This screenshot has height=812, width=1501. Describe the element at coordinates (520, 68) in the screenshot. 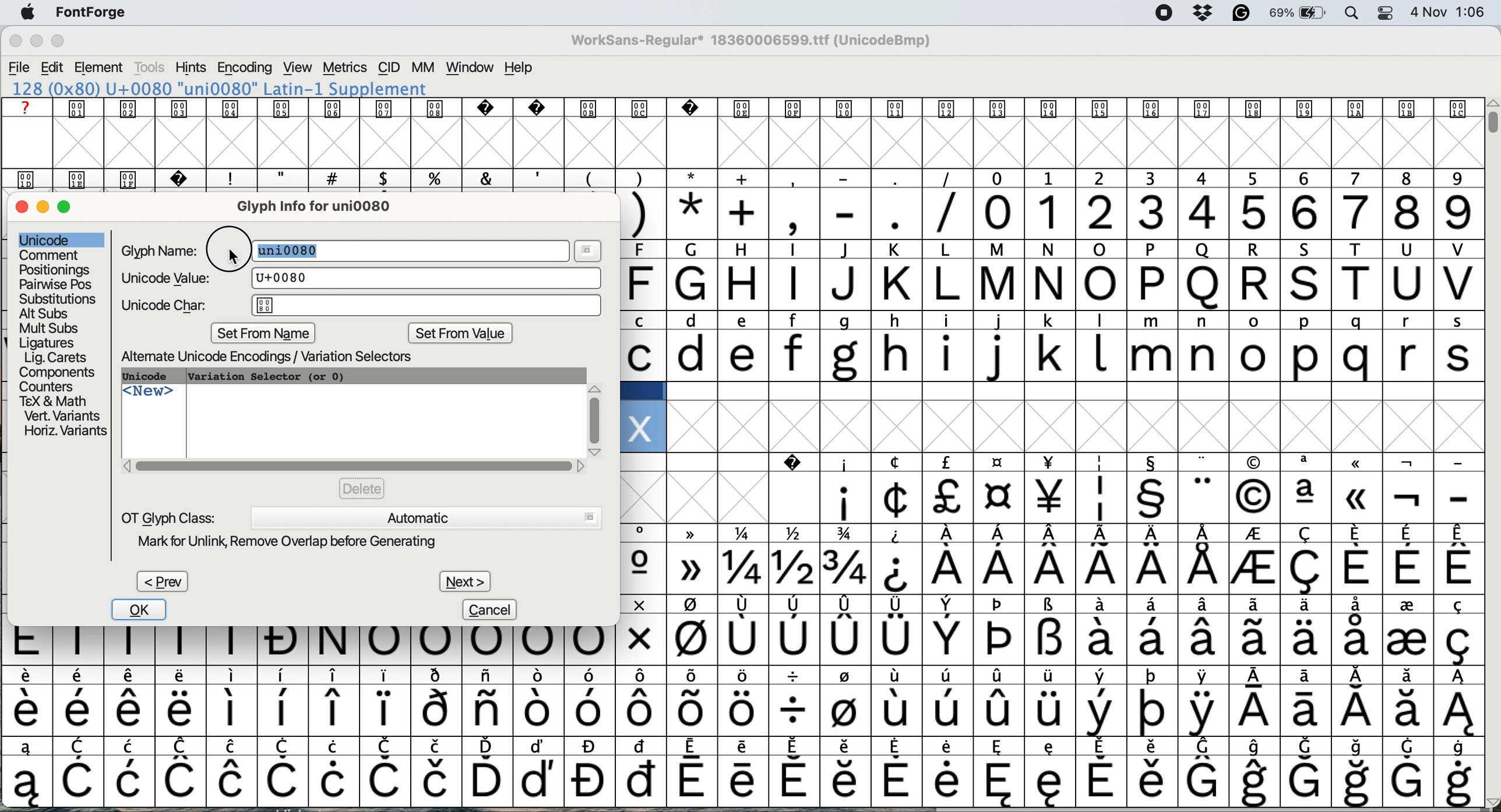

I see `help` at that location.